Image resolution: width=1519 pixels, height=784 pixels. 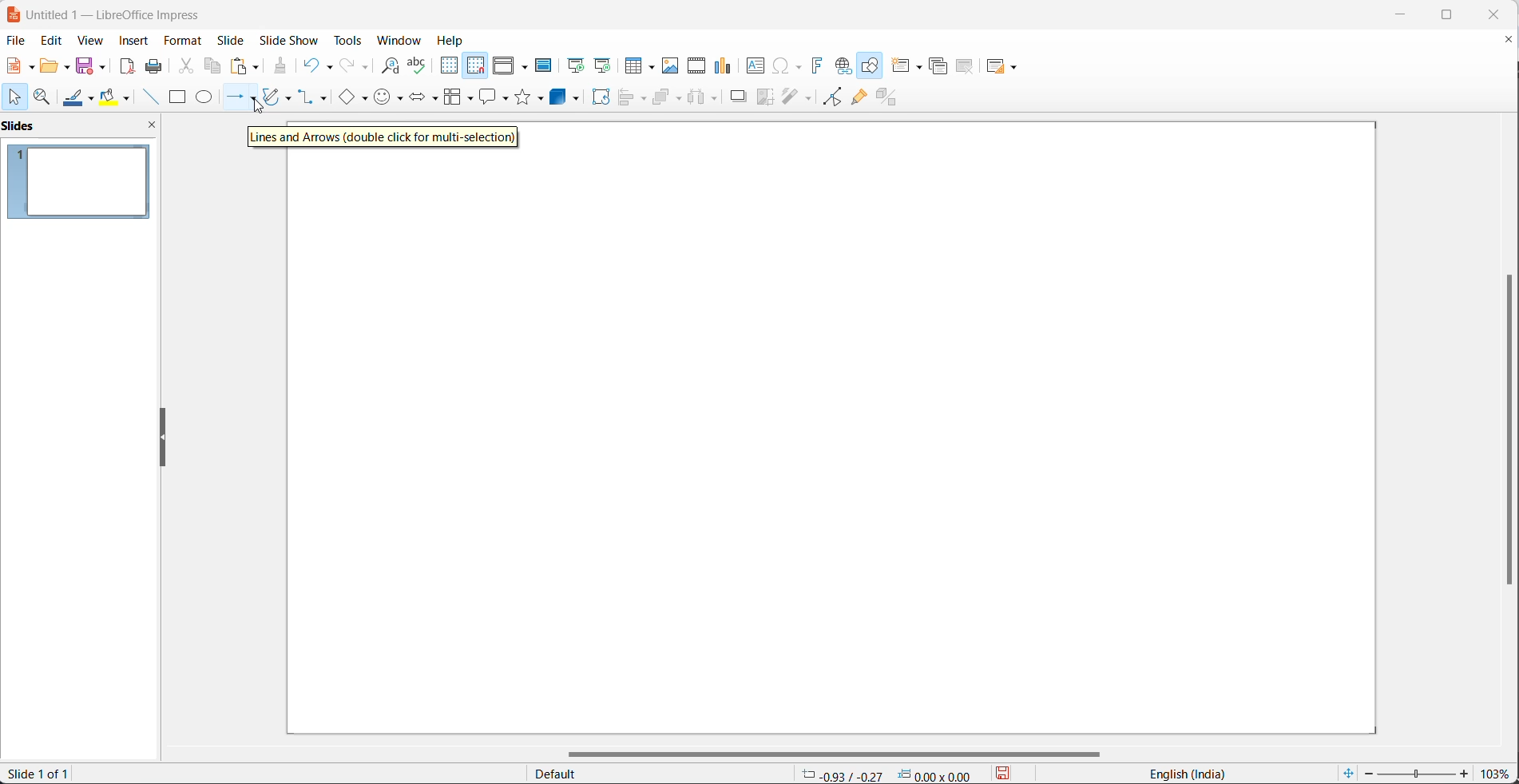 What do you see at coordinates (637, 65) in the screenshot?
I see `insert table` at bounding box center [637, 65].